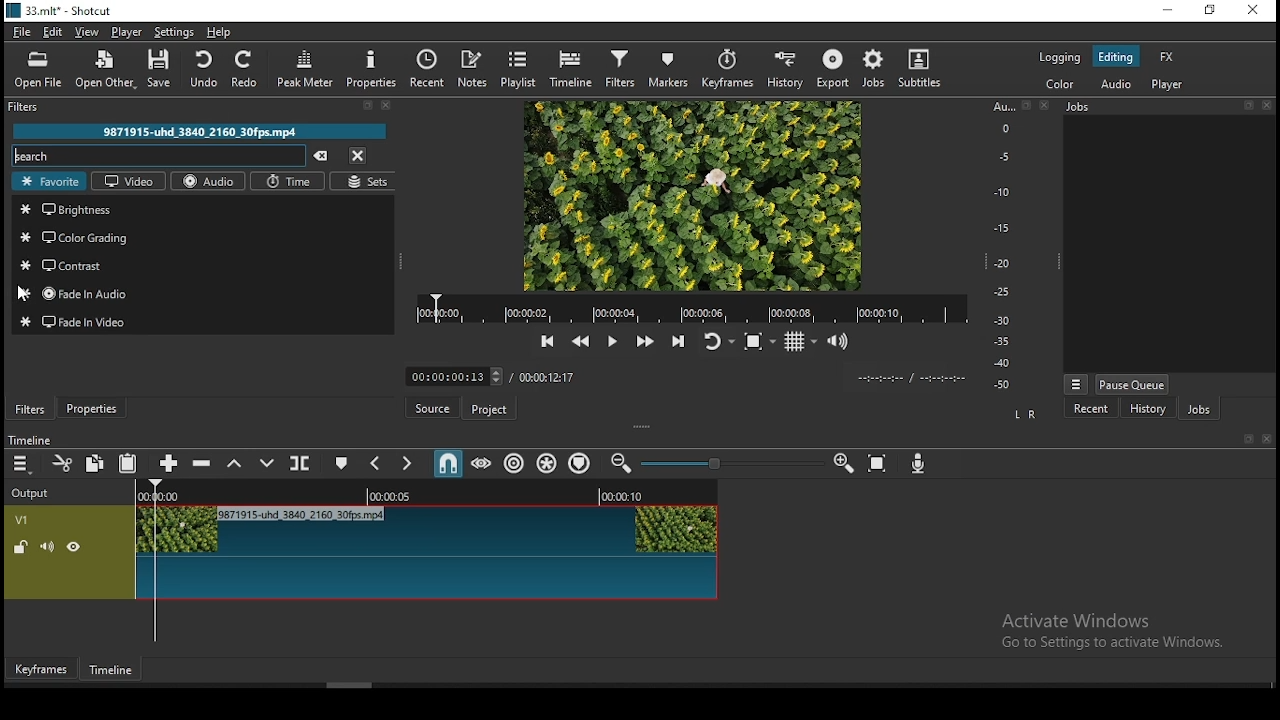 Image resolution: width=1280 pixels, height=720 pixels. I want to click on / 00:00:12:17, so click(543, 377).